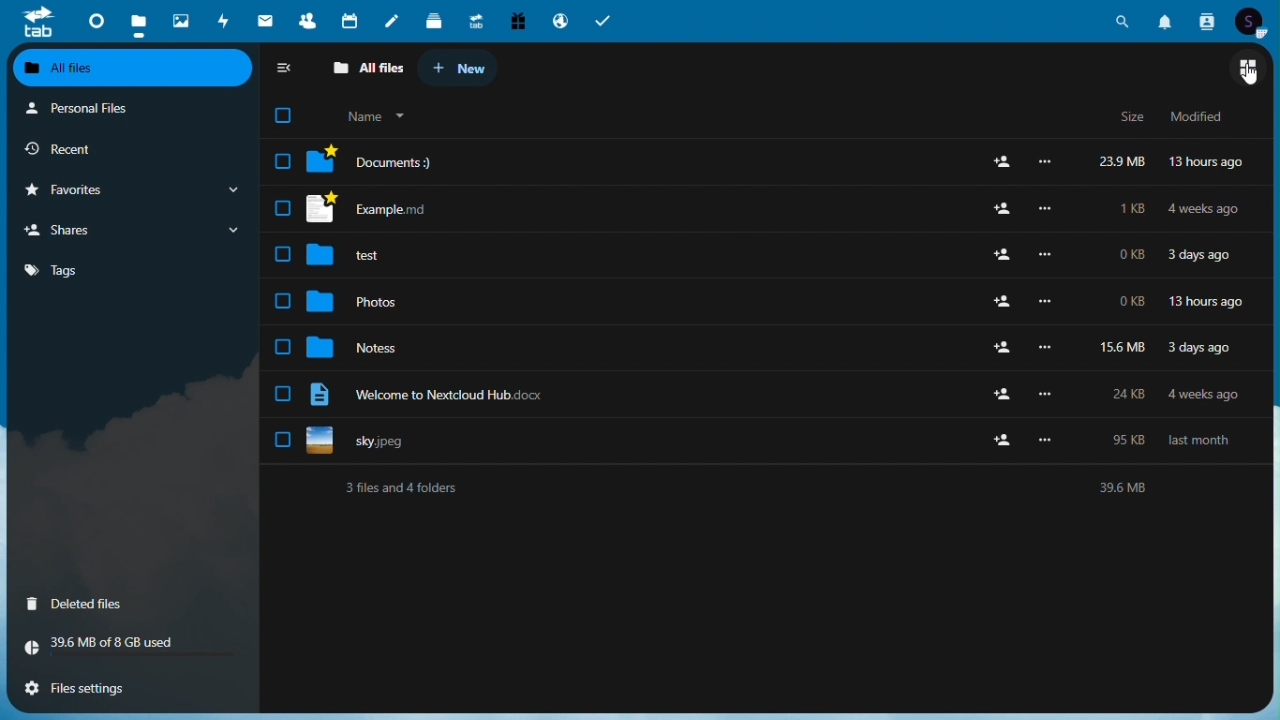 The width and height of the screenshot is (1280, 720). What do you see at coordinates (1049, 347) in the screenshot?
I see `more options` at bounding box center [1049, 347].